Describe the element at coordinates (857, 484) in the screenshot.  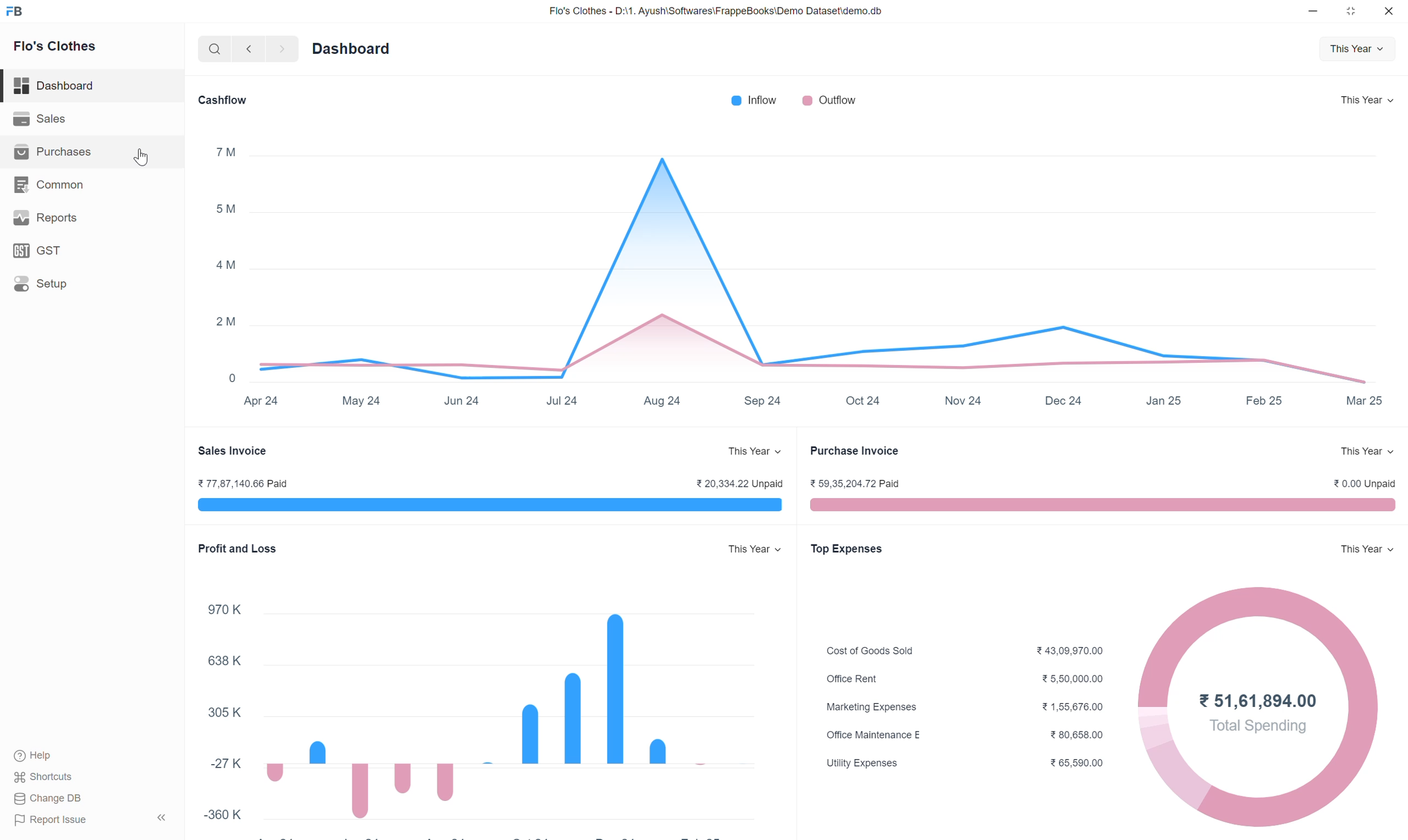
I see `59,35,204.72 Paid` at that location.